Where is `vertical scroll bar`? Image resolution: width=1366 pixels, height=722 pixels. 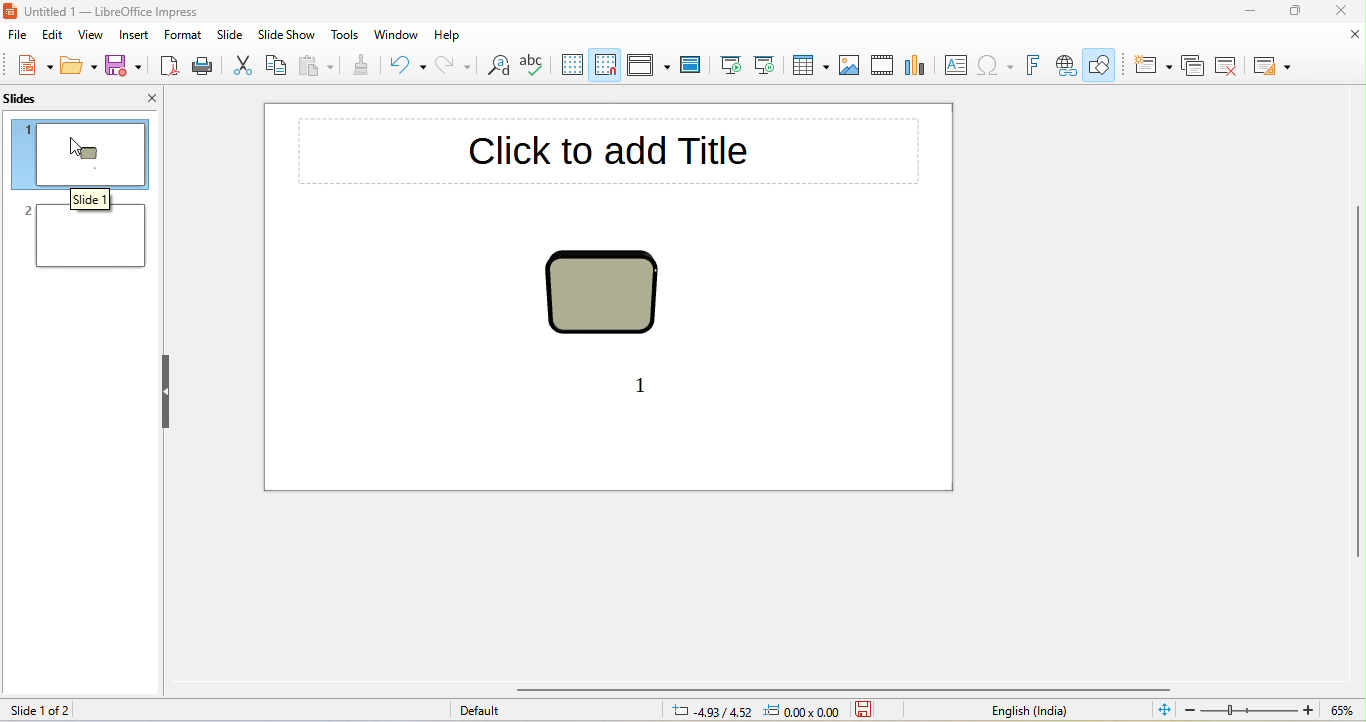 vertical scroll bar is located at coordinates (1357, 382).